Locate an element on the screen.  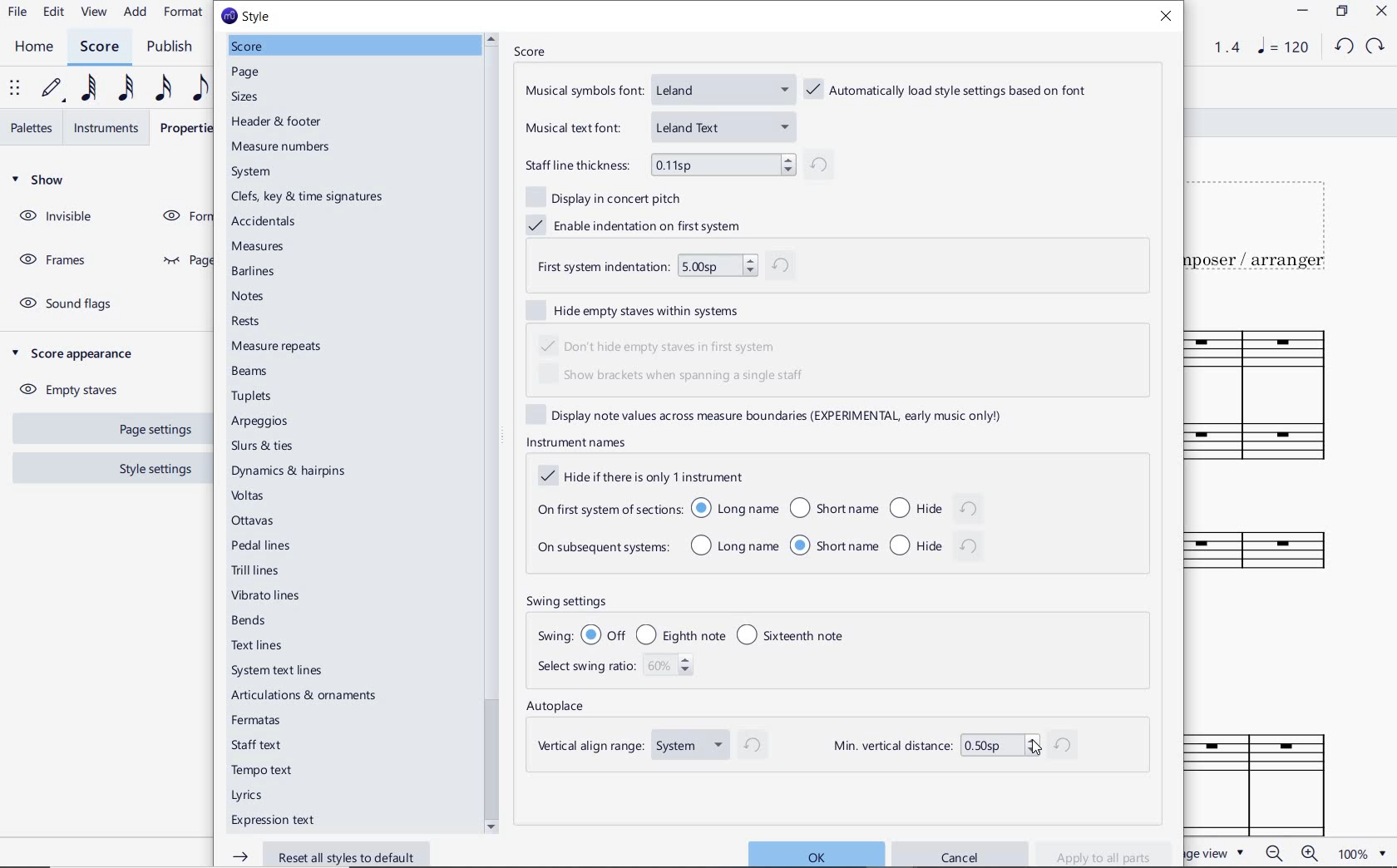
SHOW BRACKETS  is located at coordinates (675, 377).